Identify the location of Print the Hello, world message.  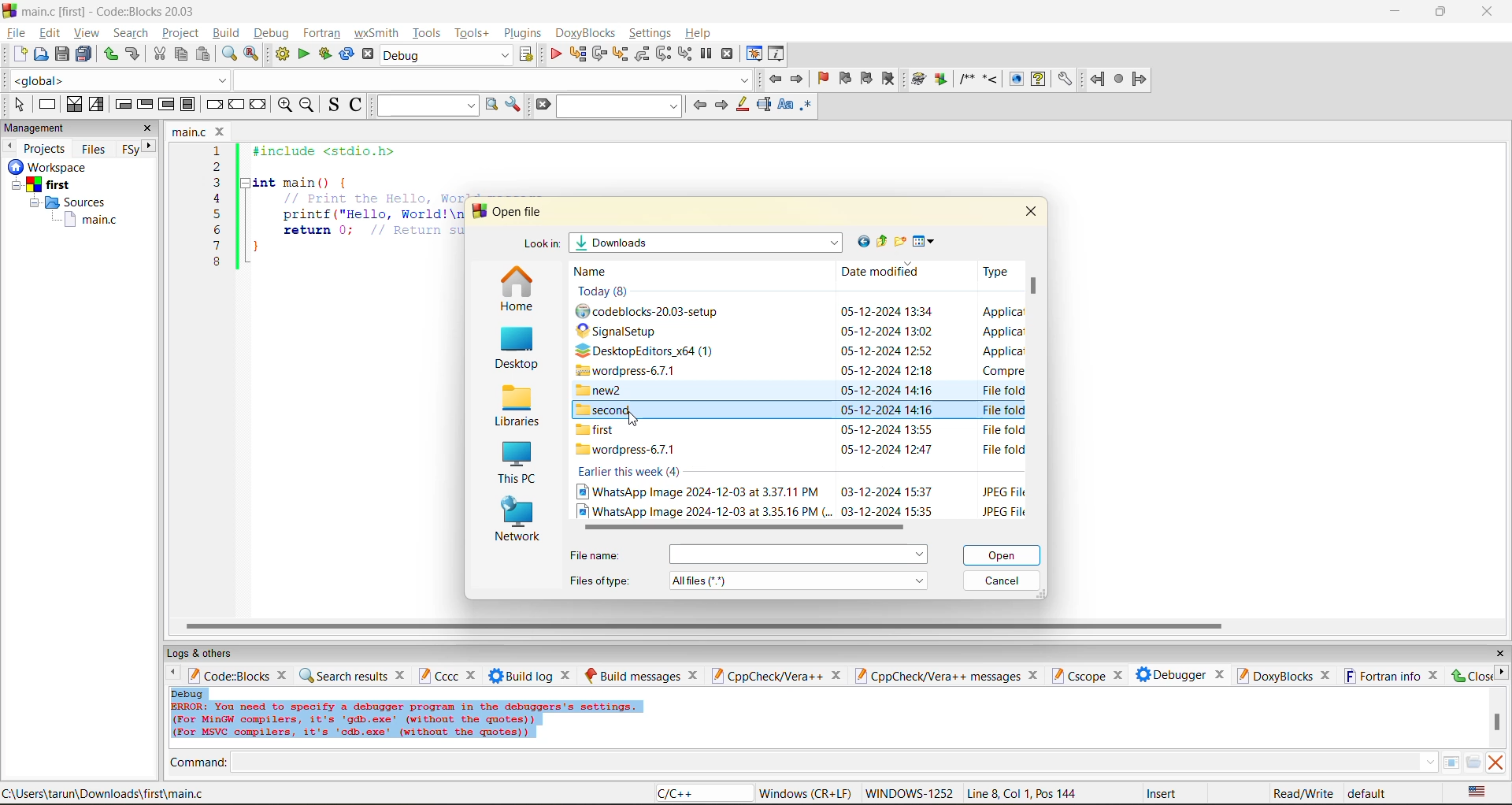
(373, 198).